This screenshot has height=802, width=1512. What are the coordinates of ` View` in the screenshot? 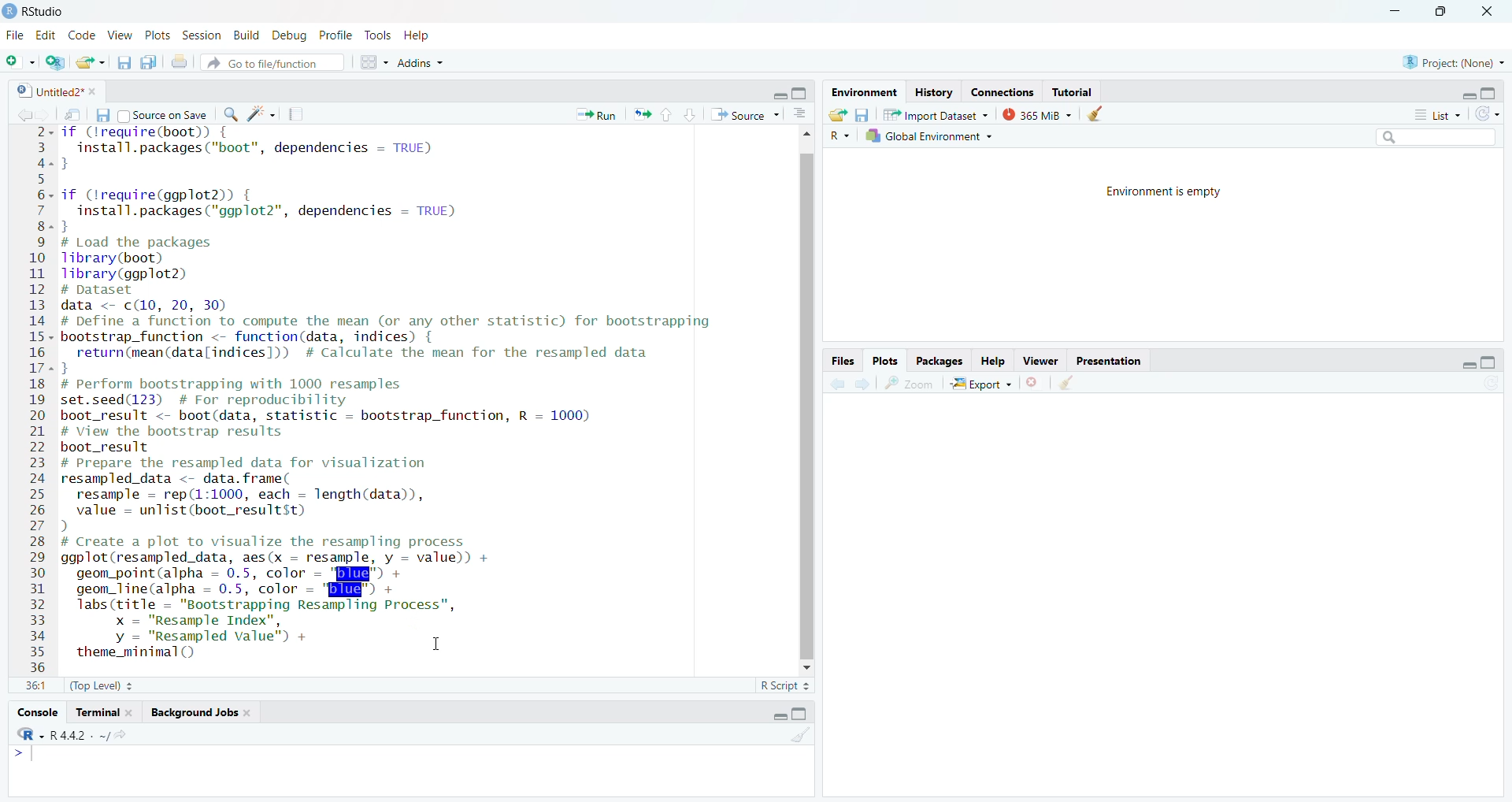 It's located at (120, 36).